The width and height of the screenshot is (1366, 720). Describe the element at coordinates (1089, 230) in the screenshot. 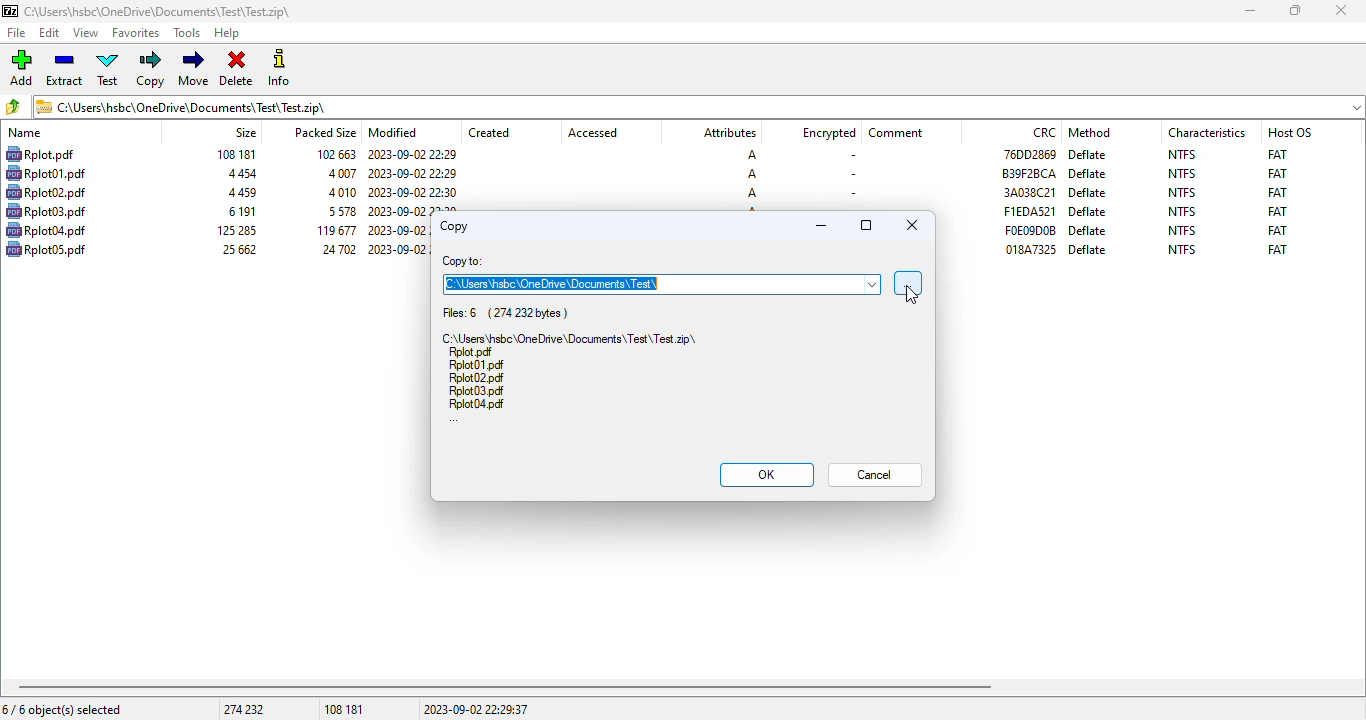

I see `deflate` at that location.